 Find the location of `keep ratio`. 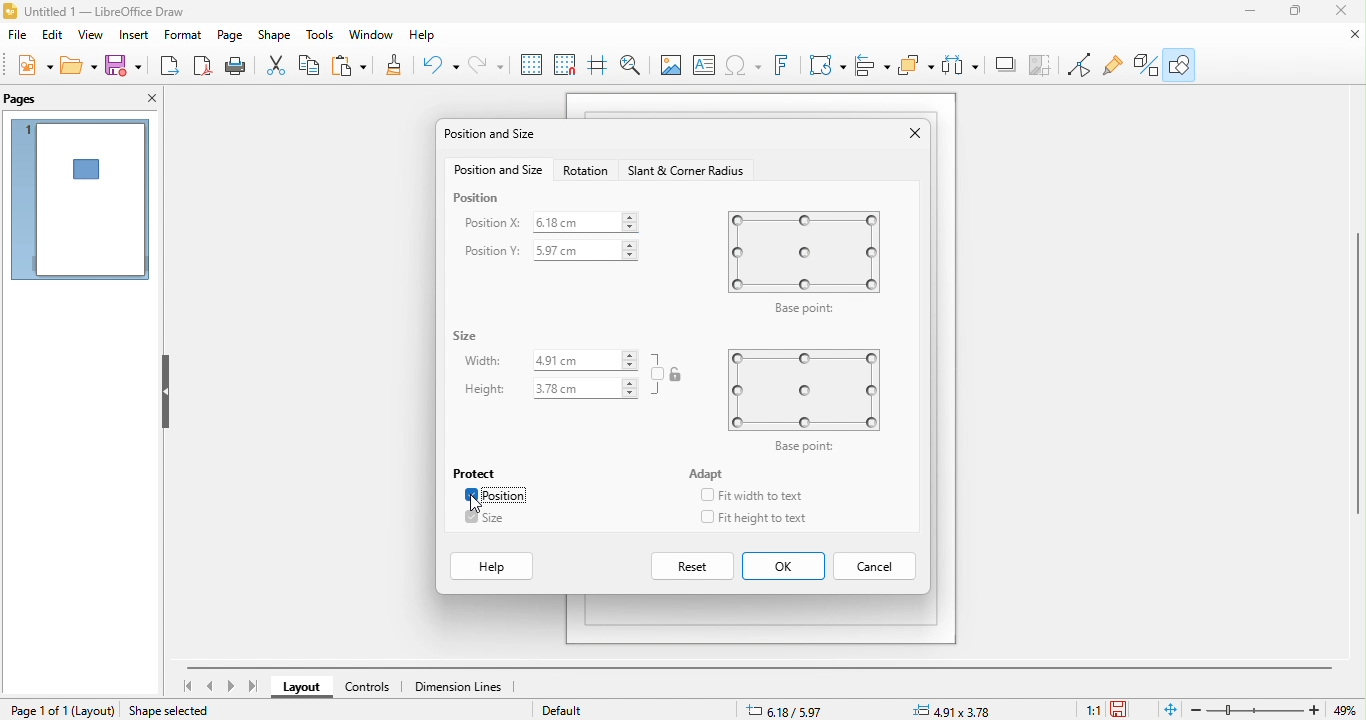

keep ratio is located at coordinates (658, 373).